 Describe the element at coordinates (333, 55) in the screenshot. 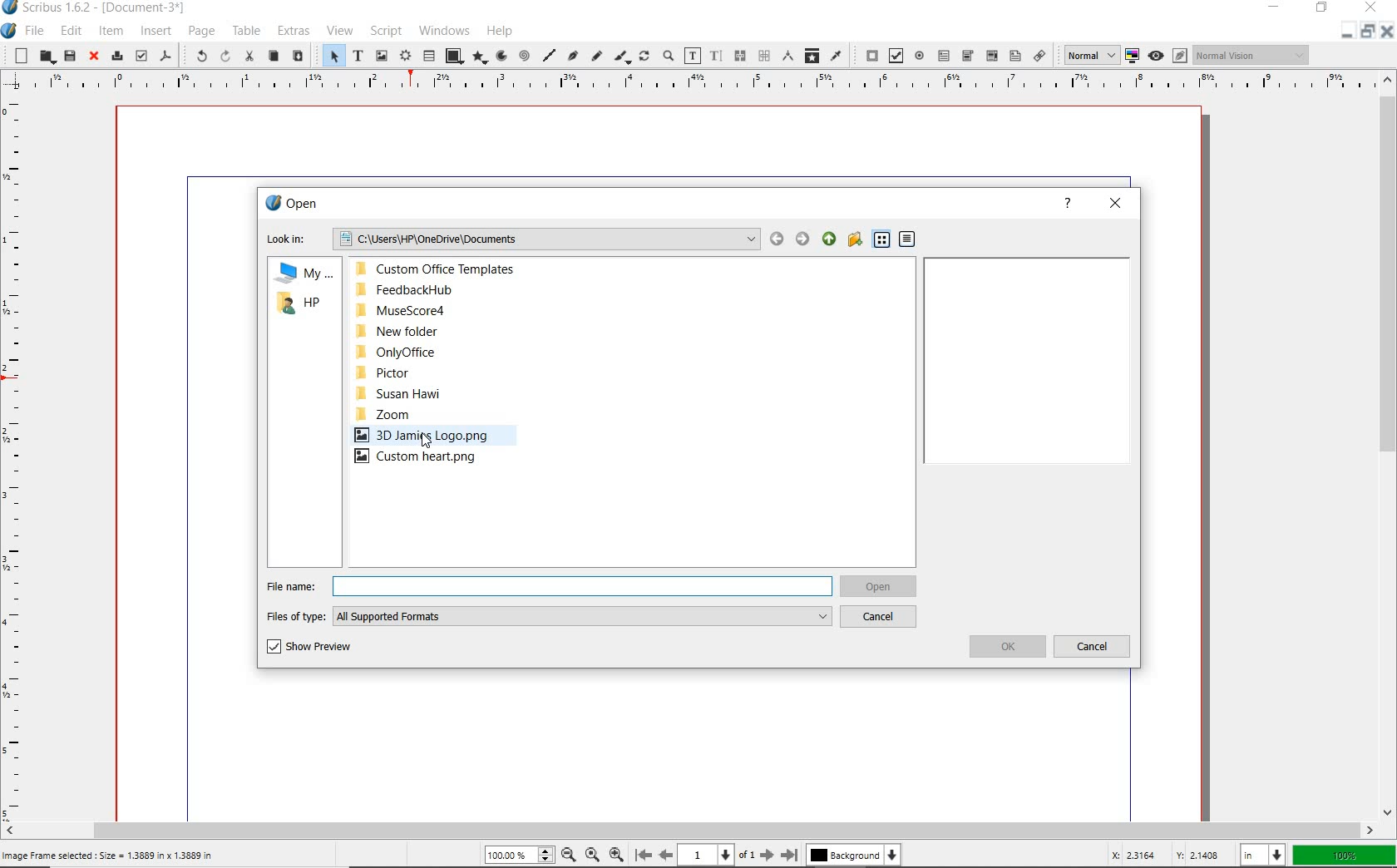

I see `SELECT` at that location.